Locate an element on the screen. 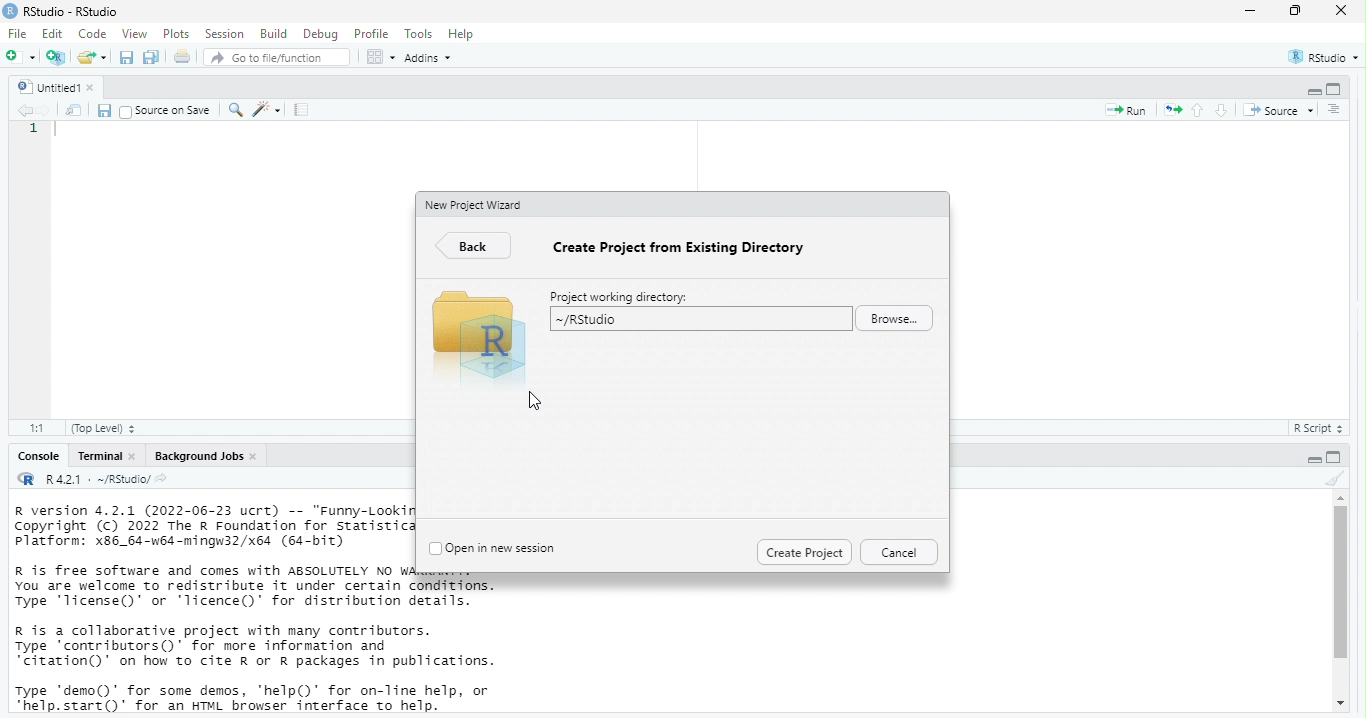 Image resolution: width=1366 pixels, height=718 pixels. edit is located at coordinates (55, 34).